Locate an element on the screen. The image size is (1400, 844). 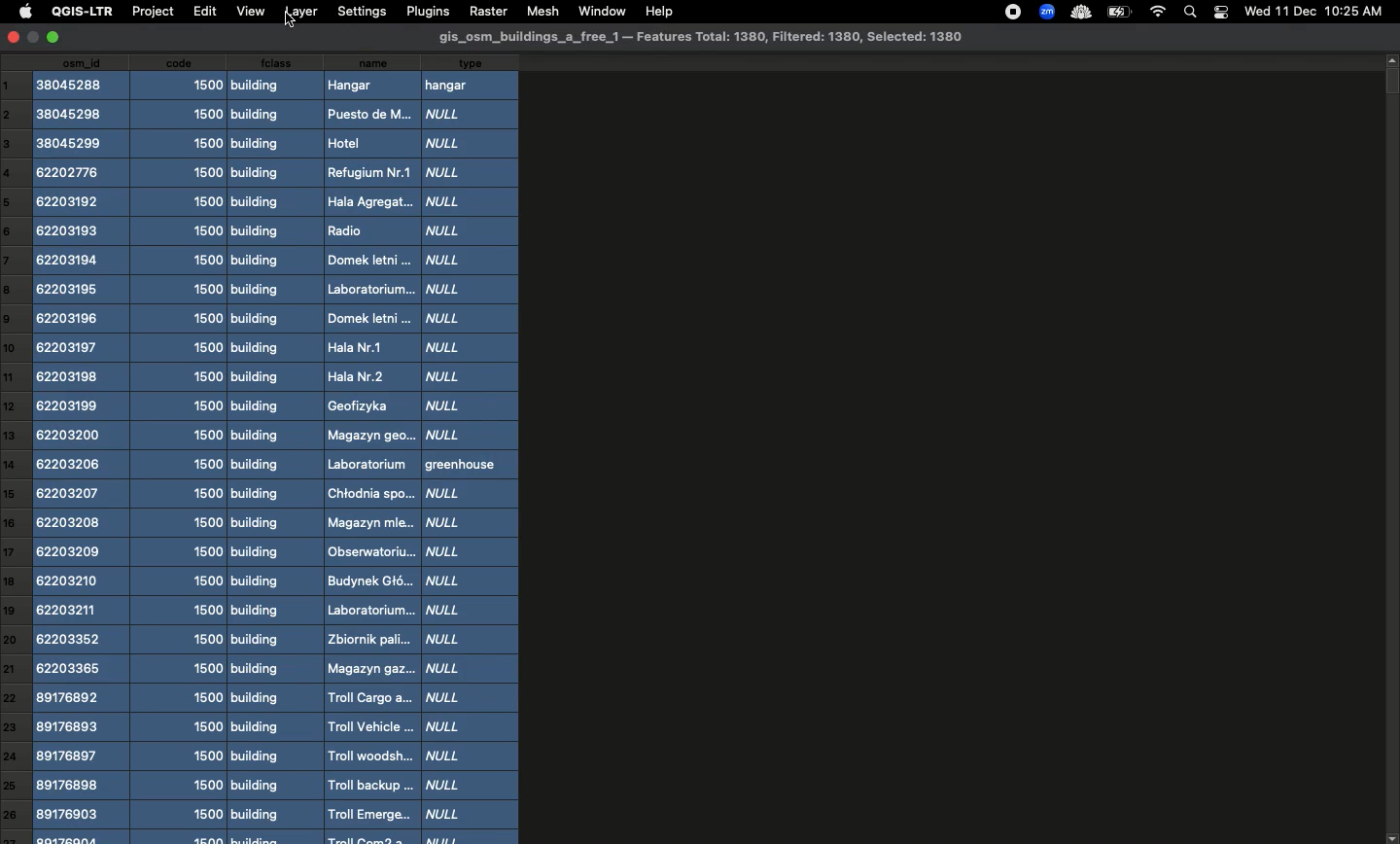
Search is located at coordinates (1192, 11).